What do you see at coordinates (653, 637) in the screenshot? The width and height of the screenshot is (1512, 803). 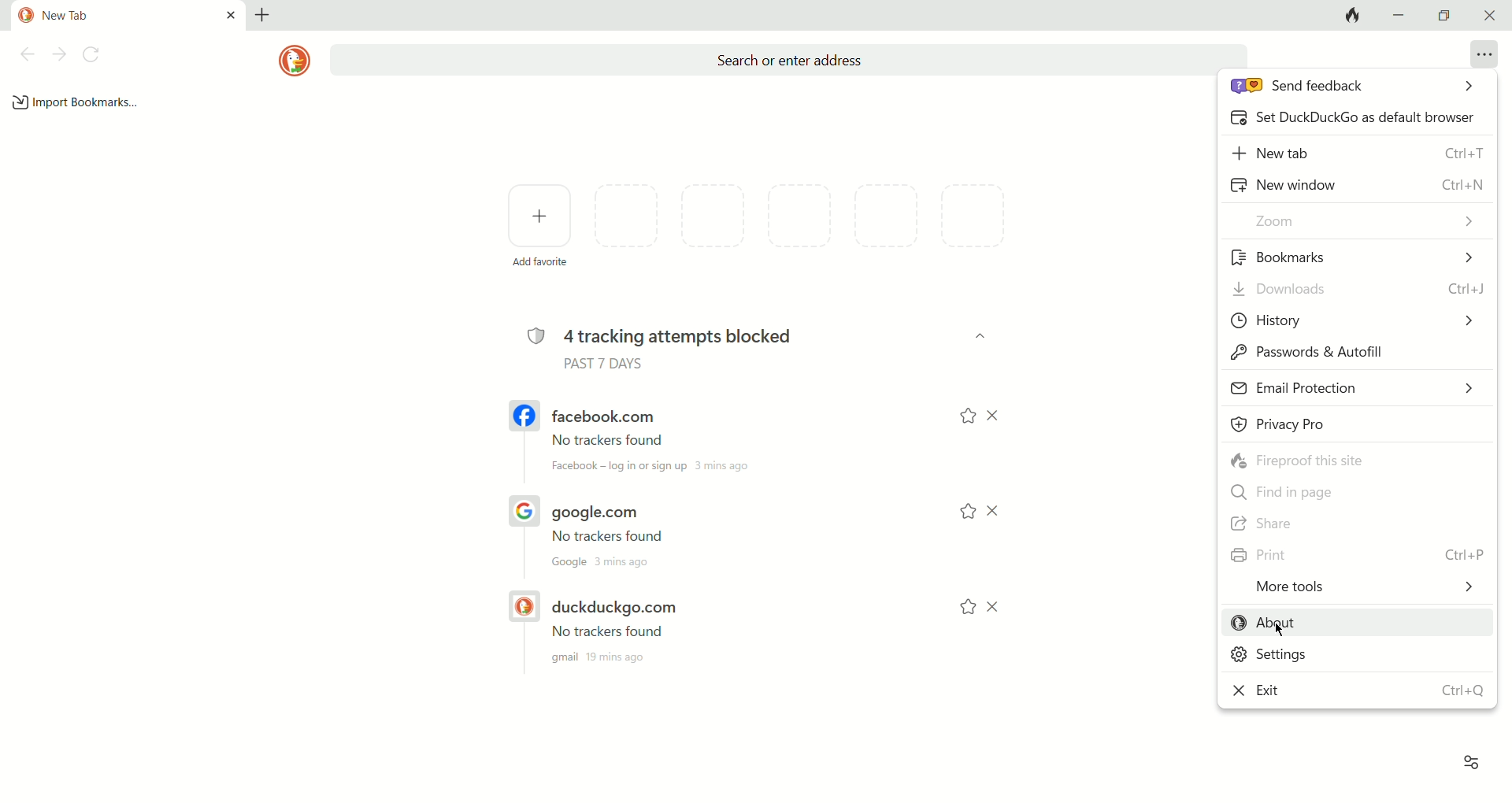 I see `Duckduckgo URL` at bounding box center [653, 637].